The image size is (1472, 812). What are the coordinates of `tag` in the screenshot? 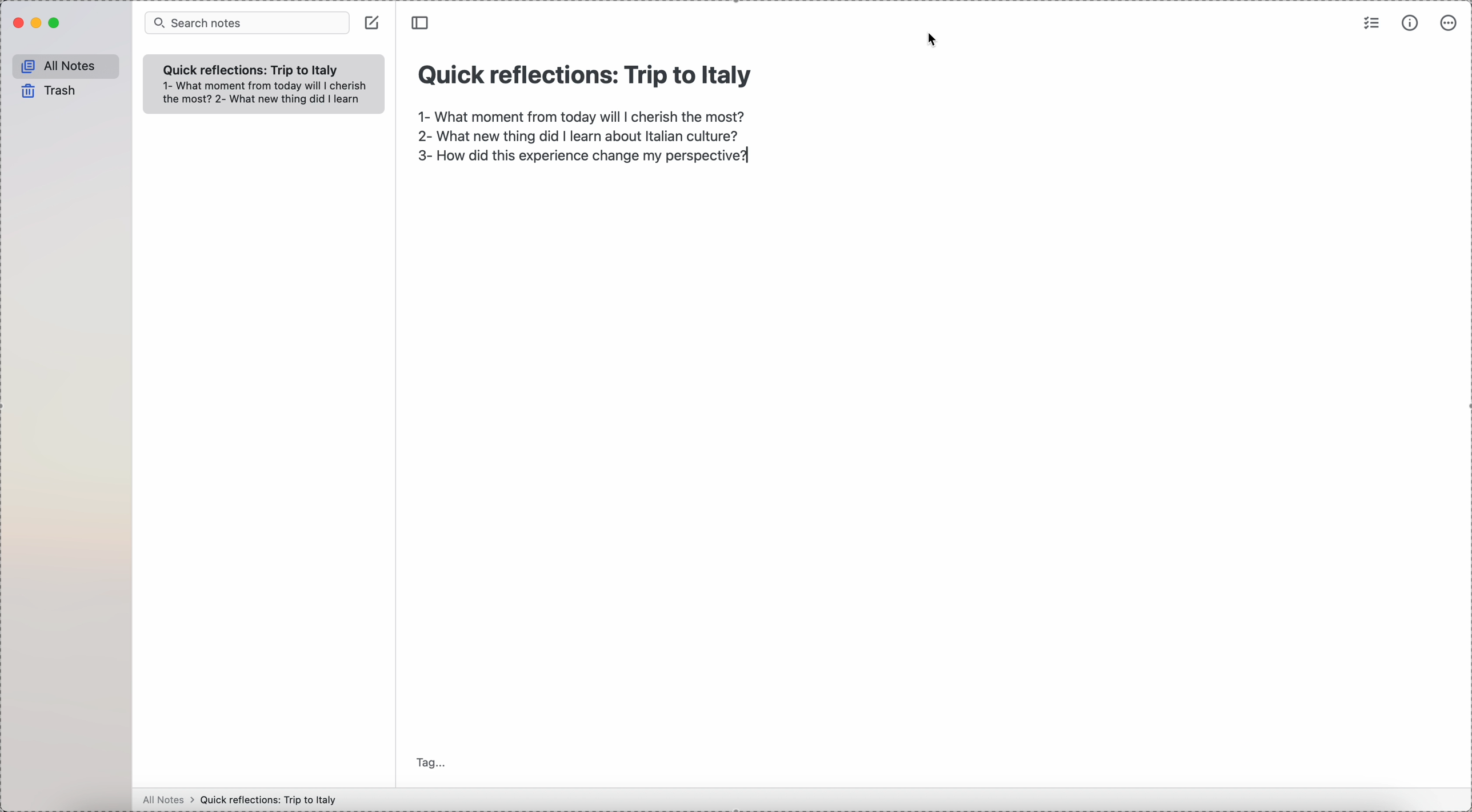 It's located at (431, 762).